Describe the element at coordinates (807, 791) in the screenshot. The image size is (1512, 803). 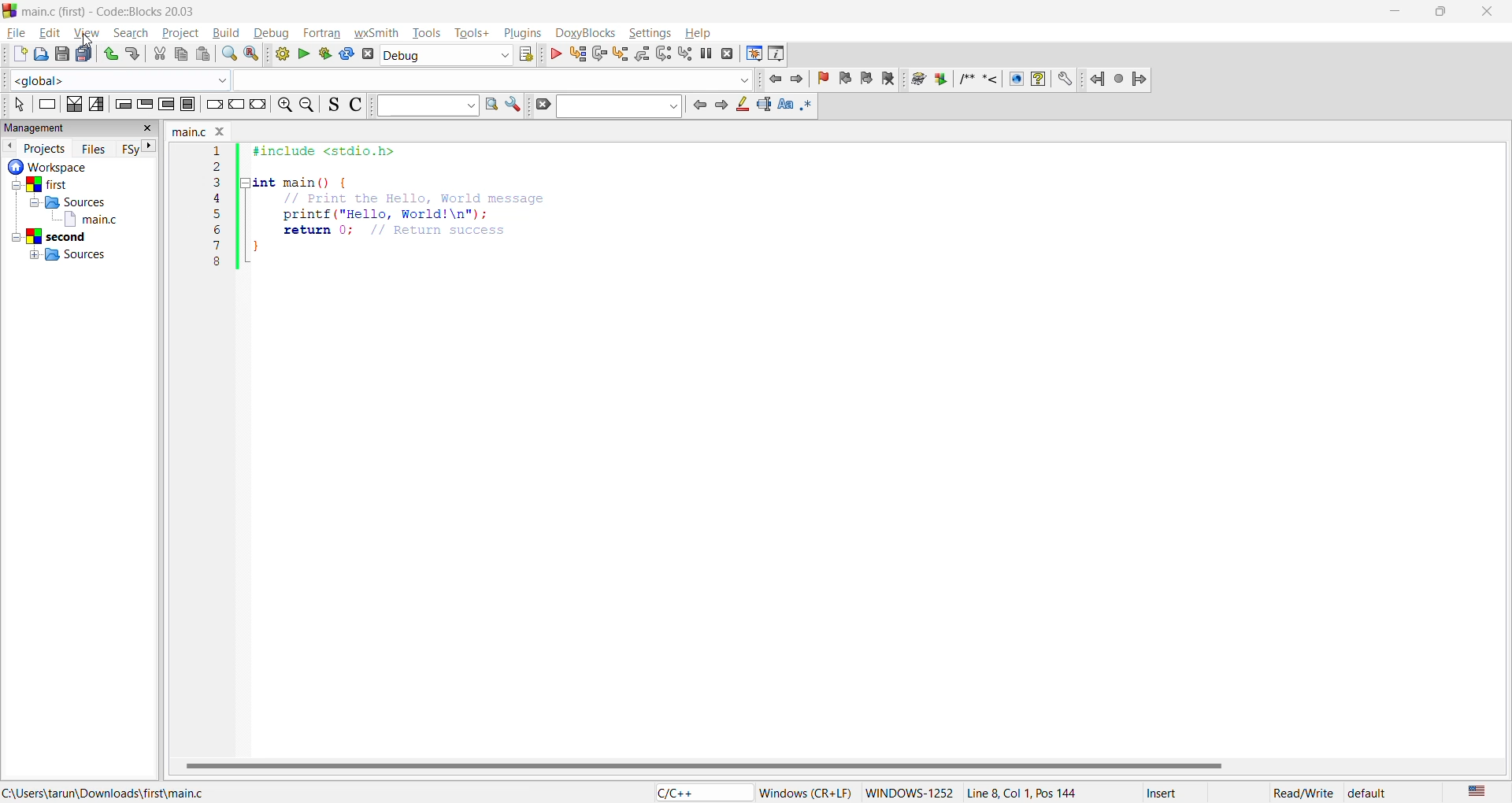
I see `Windows (CR+LF)` at that location.